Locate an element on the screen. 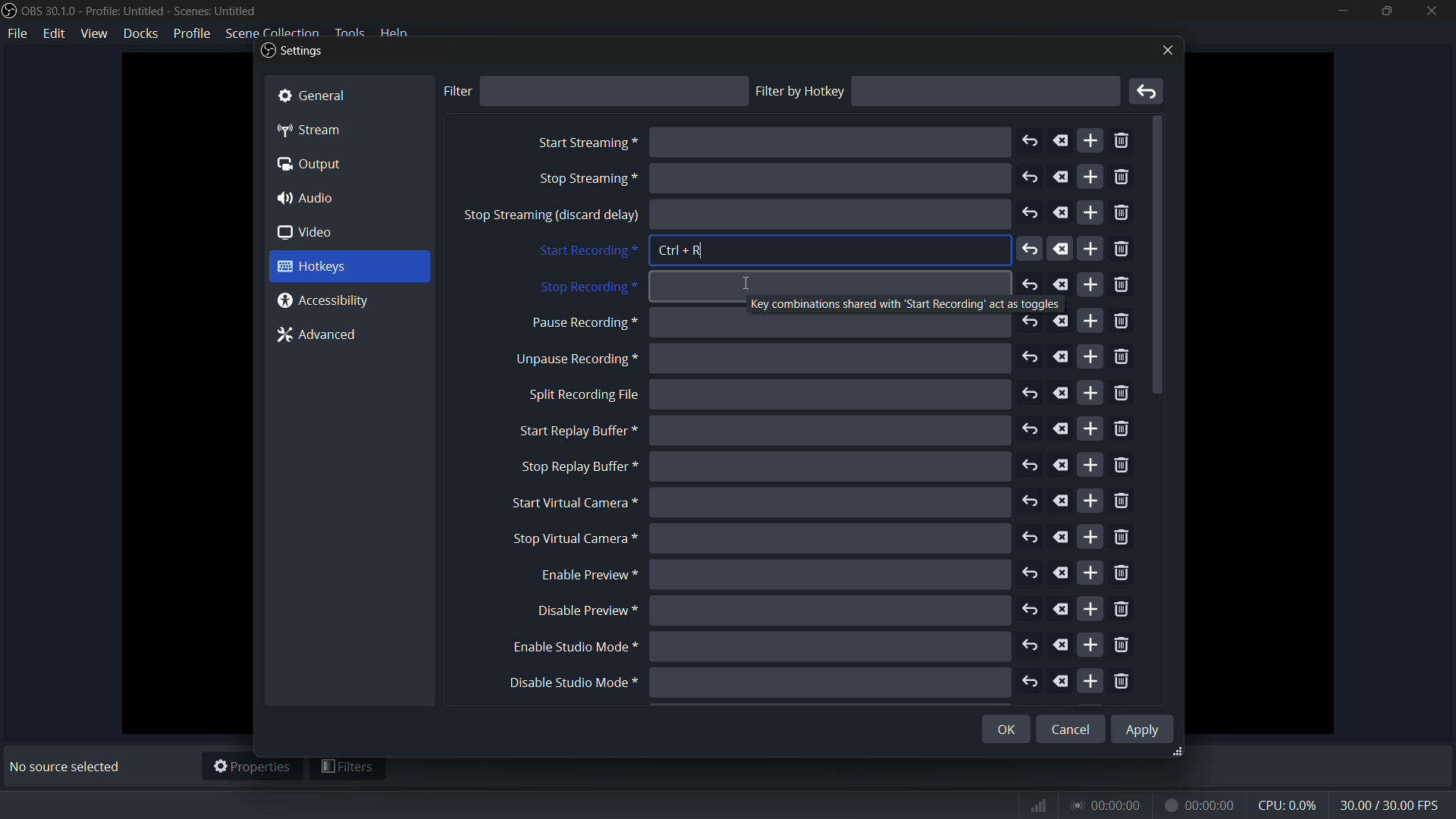 The height and width of the screenshot is (819, 1456). remove is located at coordinates (1123, 214).